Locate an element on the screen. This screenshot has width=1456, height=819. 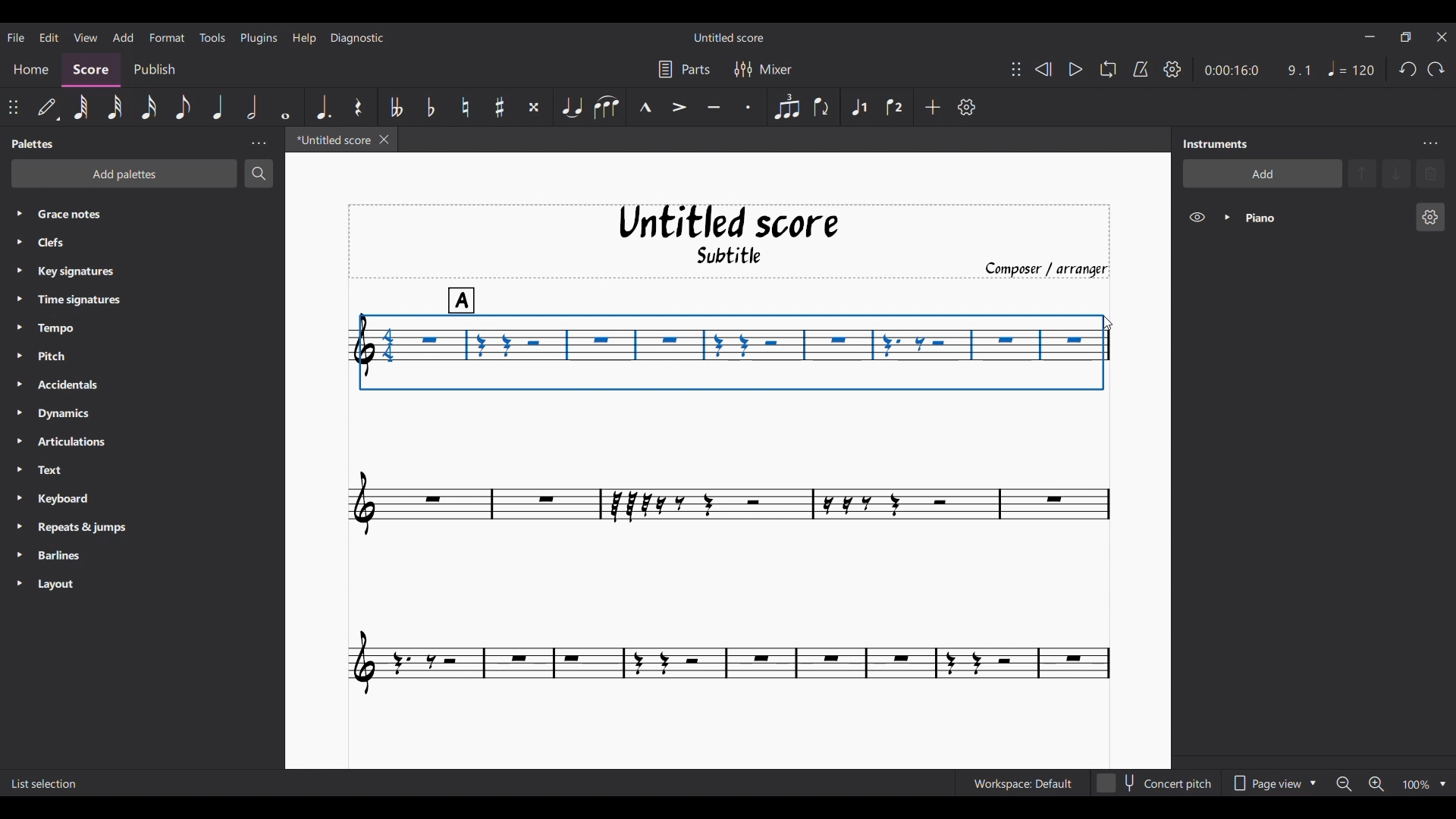
Help menu is located at coordinates (306, 38).